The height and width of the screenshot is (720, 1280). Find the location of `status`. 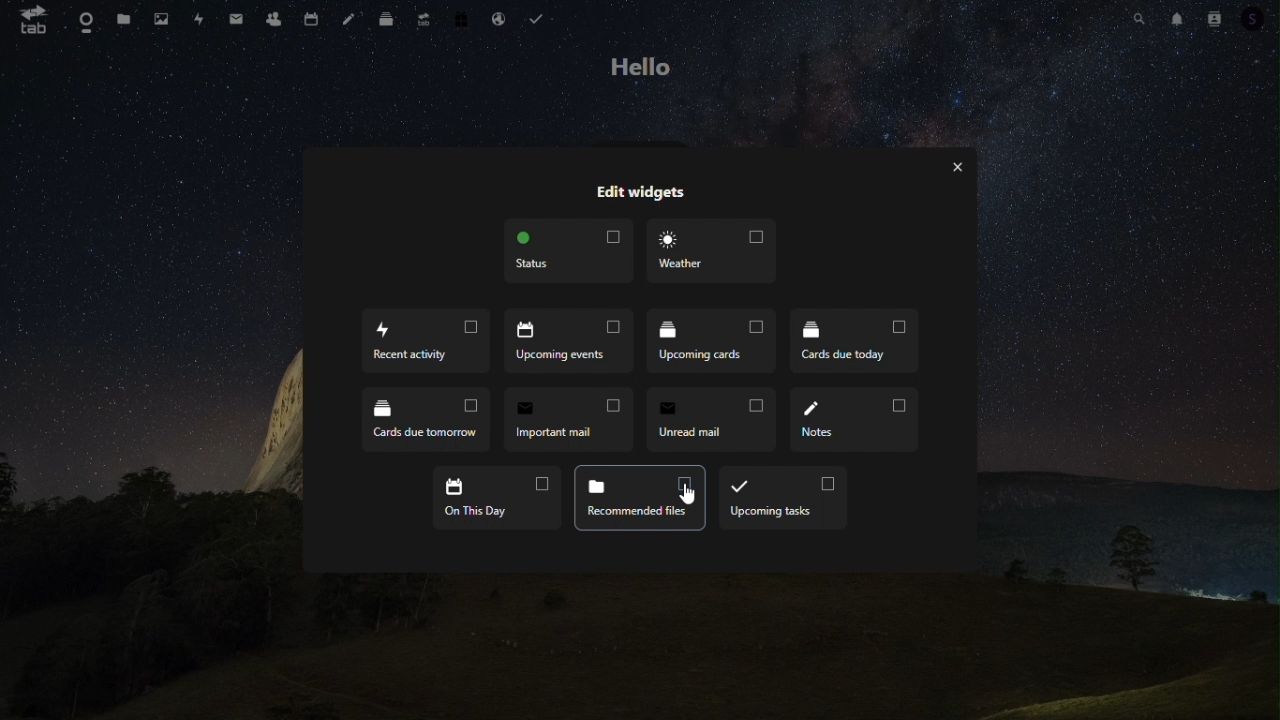

status is located at coordinates (567, 252).